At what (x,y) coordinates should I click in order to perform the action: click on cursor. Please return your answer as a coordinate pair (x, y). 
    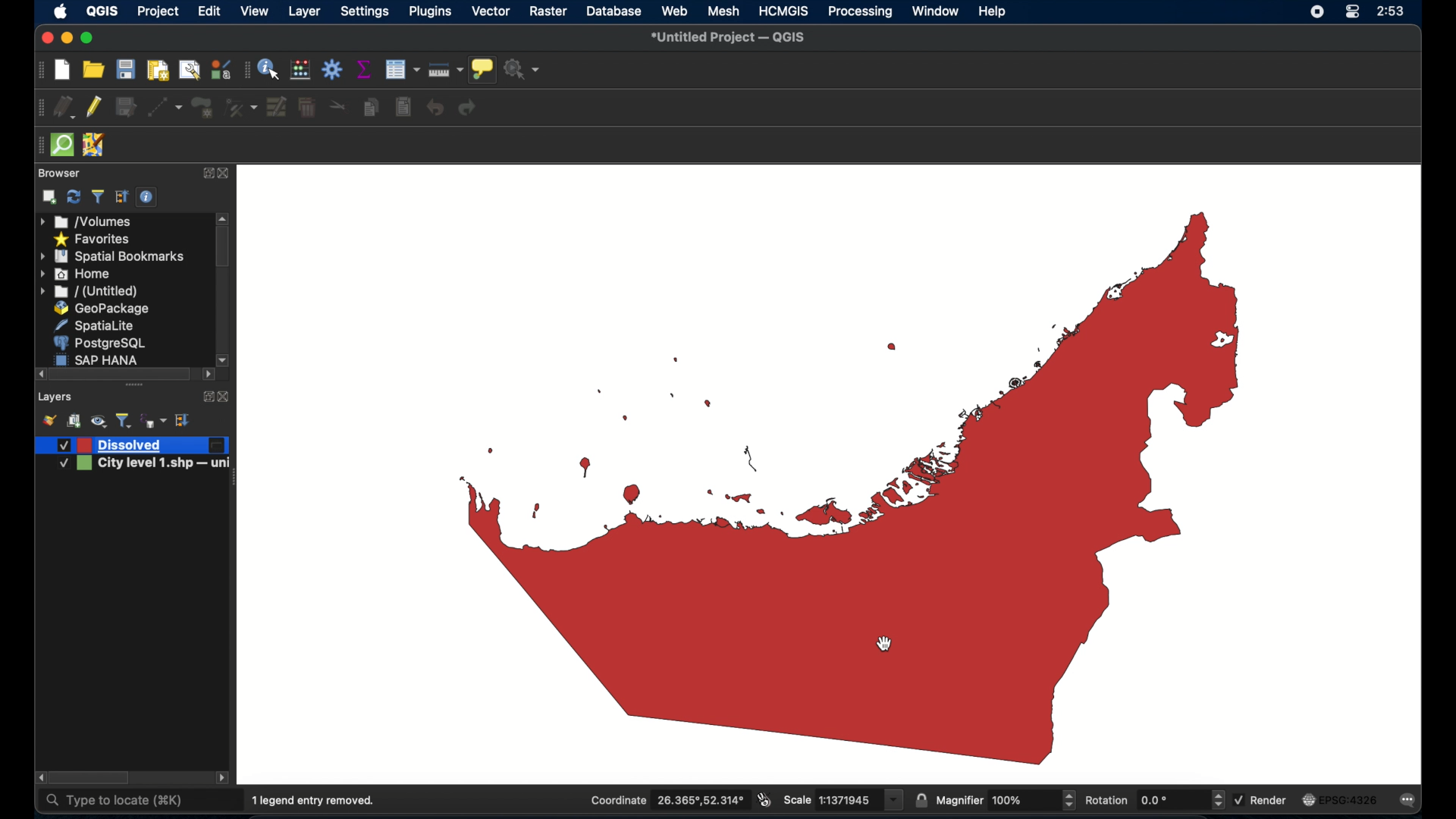
    Looking at the image, I should click on (891, 650).